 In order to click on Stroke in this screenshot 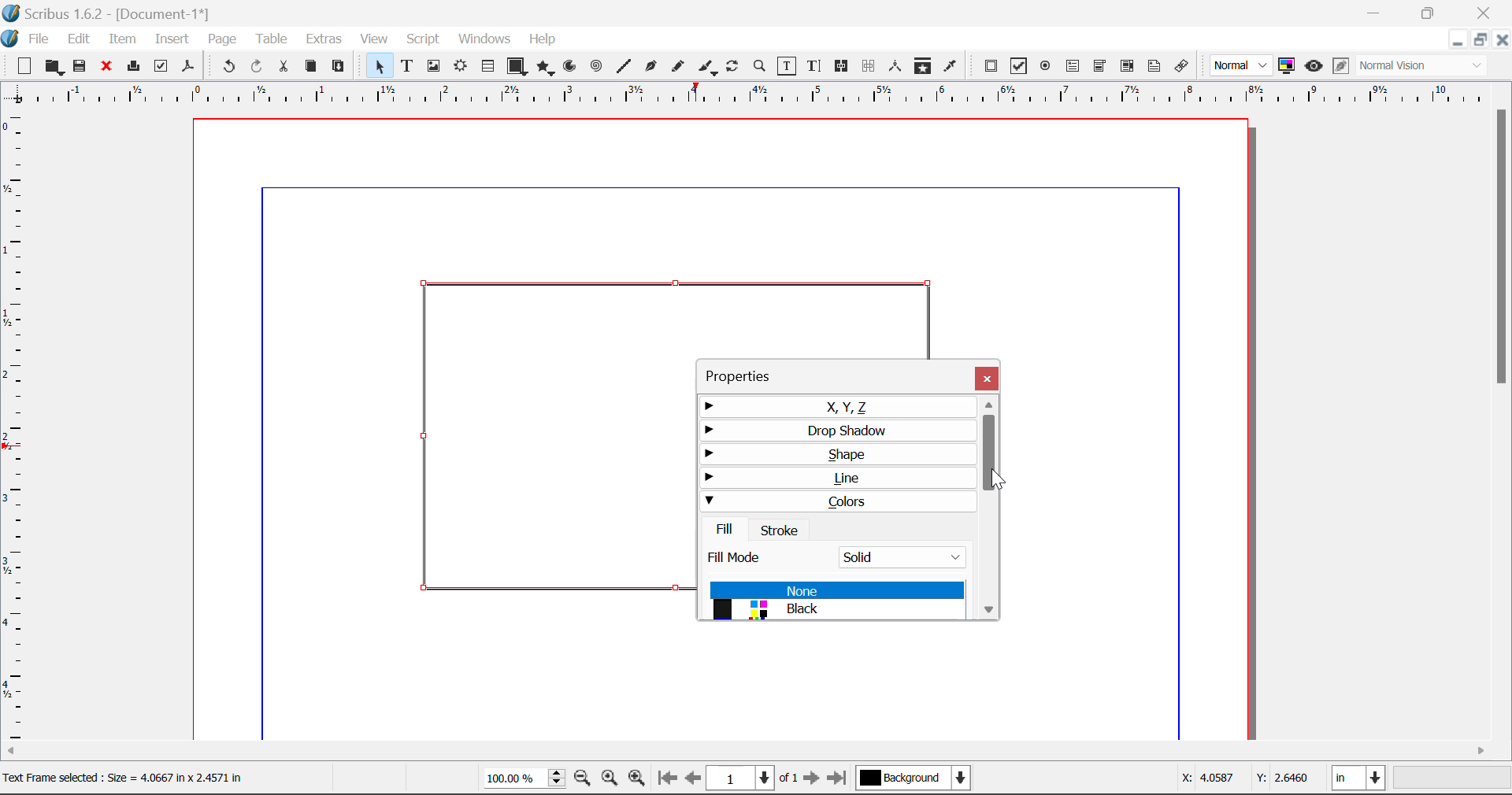, I will do `click(778, 531)`.